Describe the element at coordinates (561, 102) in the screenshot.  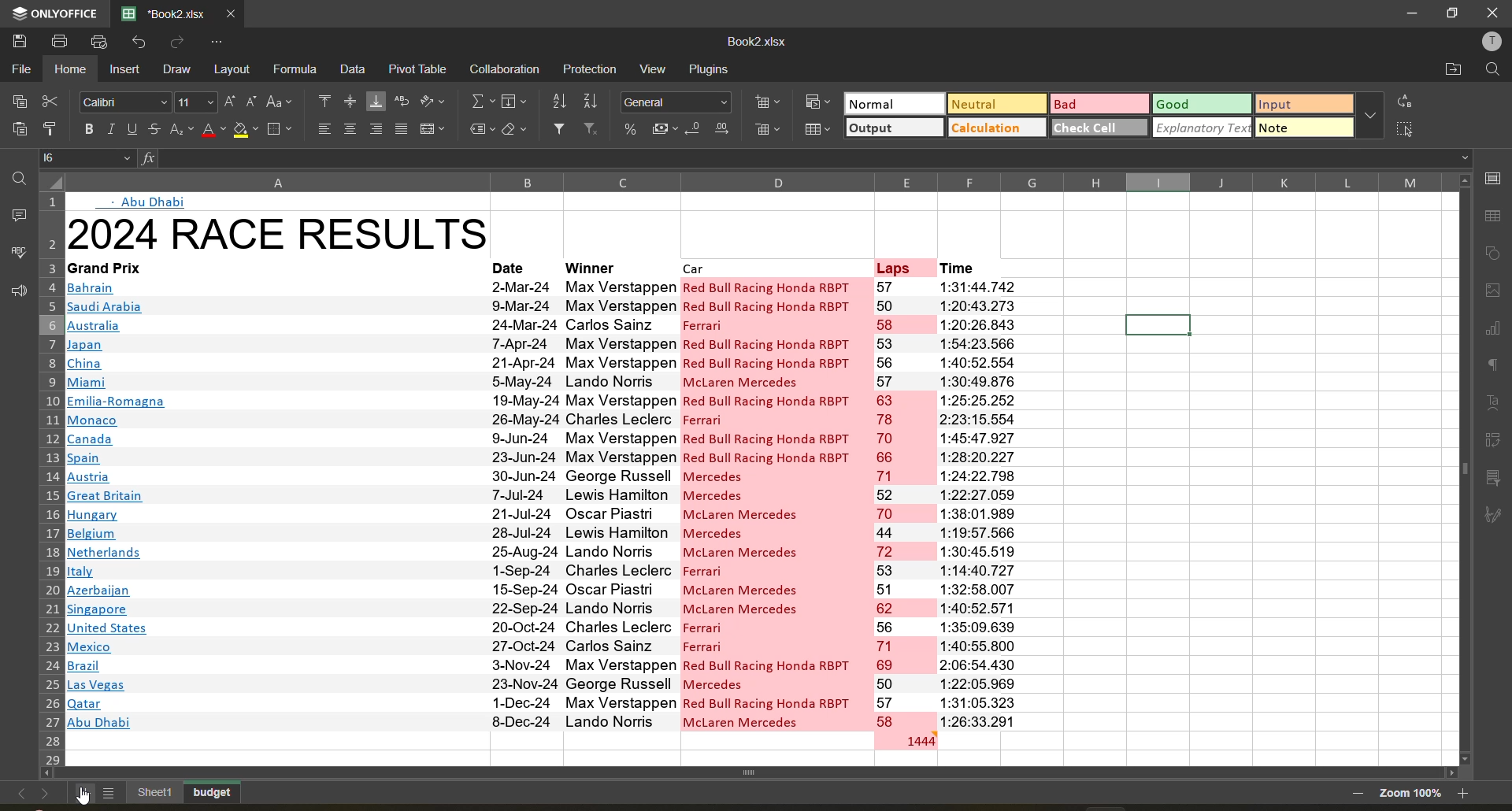
I see `sort ascending` at that location.